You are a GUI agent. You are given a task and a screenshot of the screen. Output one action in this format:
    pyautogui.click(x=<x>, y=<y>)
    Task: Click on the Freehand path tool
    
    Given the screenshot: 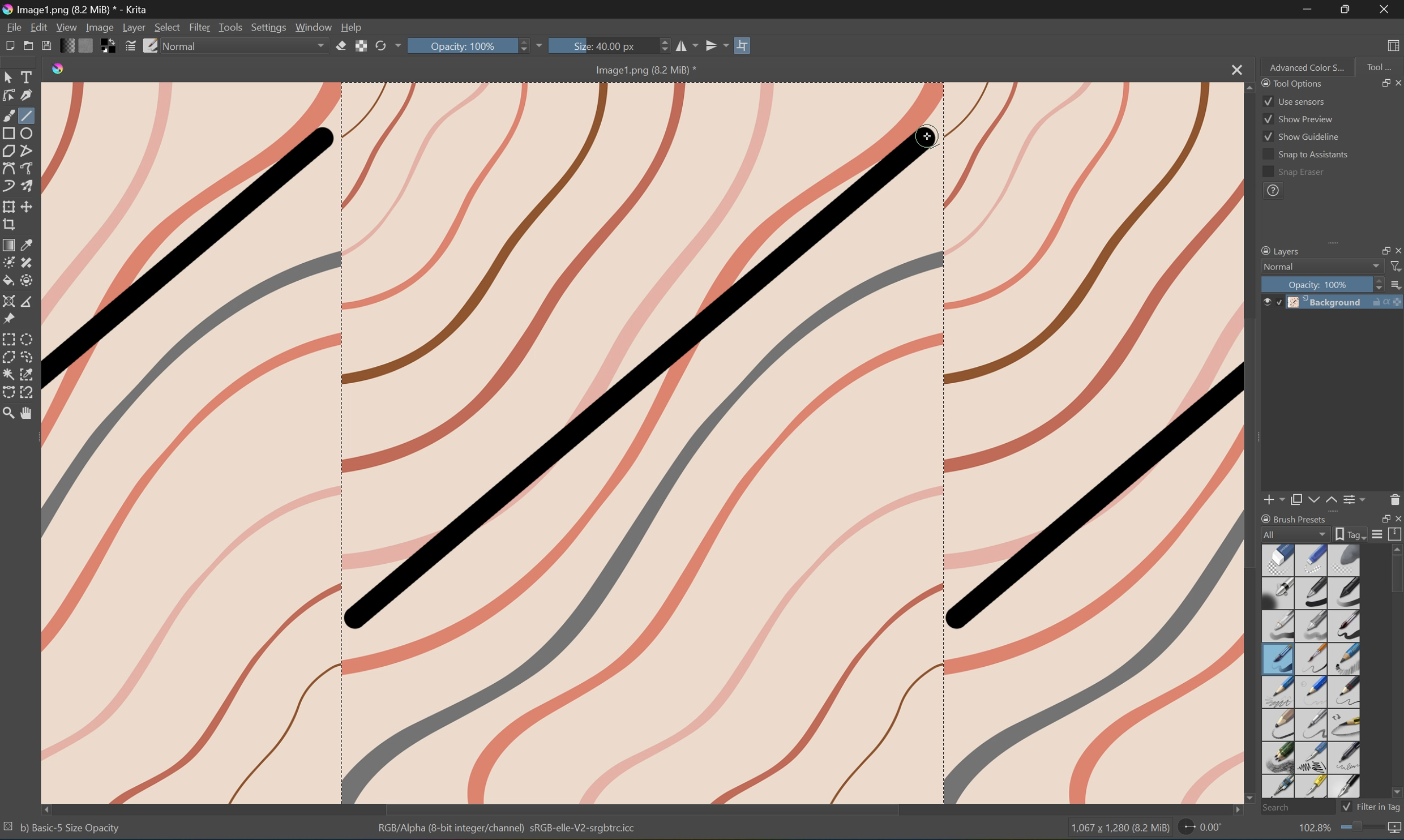 What is the action you would take?
    pyautogui.click(x=29, y=166)
    